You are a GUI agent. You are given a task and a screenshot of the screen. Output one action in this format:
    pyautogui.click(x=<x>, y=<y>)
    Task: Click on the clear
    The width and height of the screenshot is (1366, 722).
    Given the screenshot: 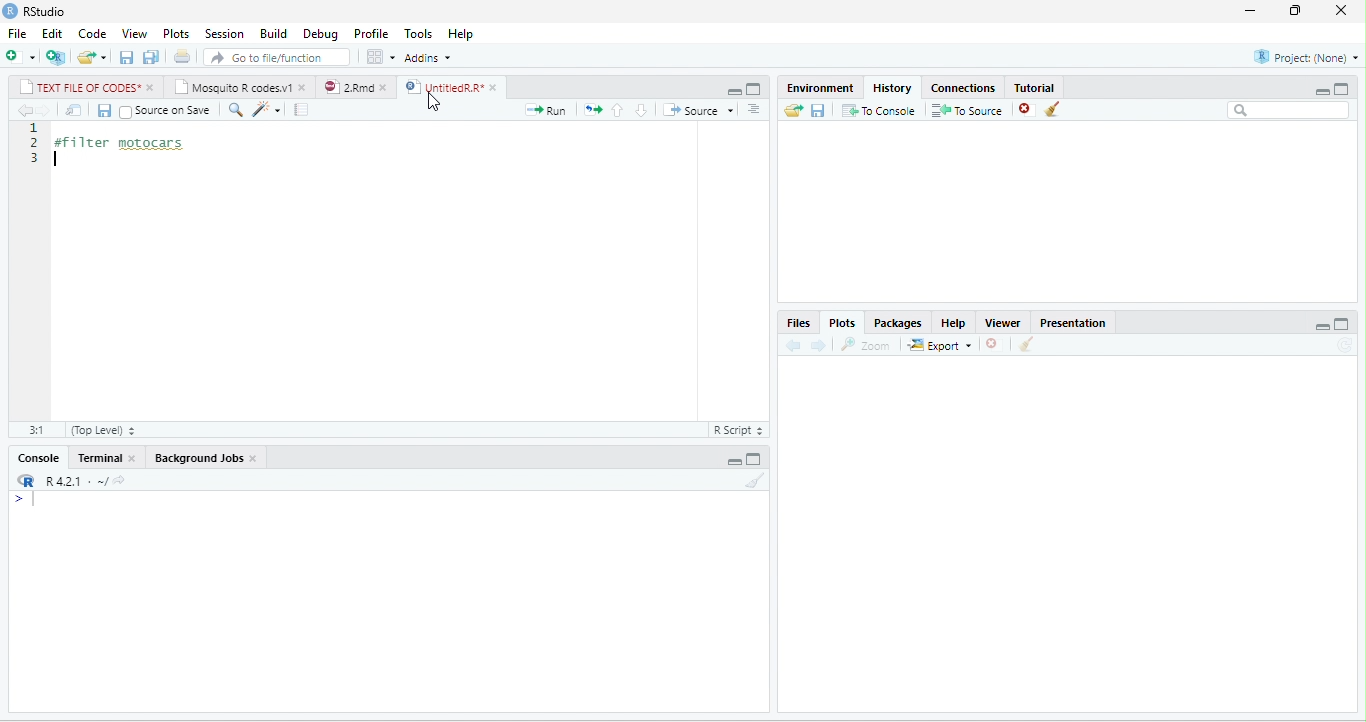 What is the action you would take?
    pyautogui.click(x=756, y=480)
    